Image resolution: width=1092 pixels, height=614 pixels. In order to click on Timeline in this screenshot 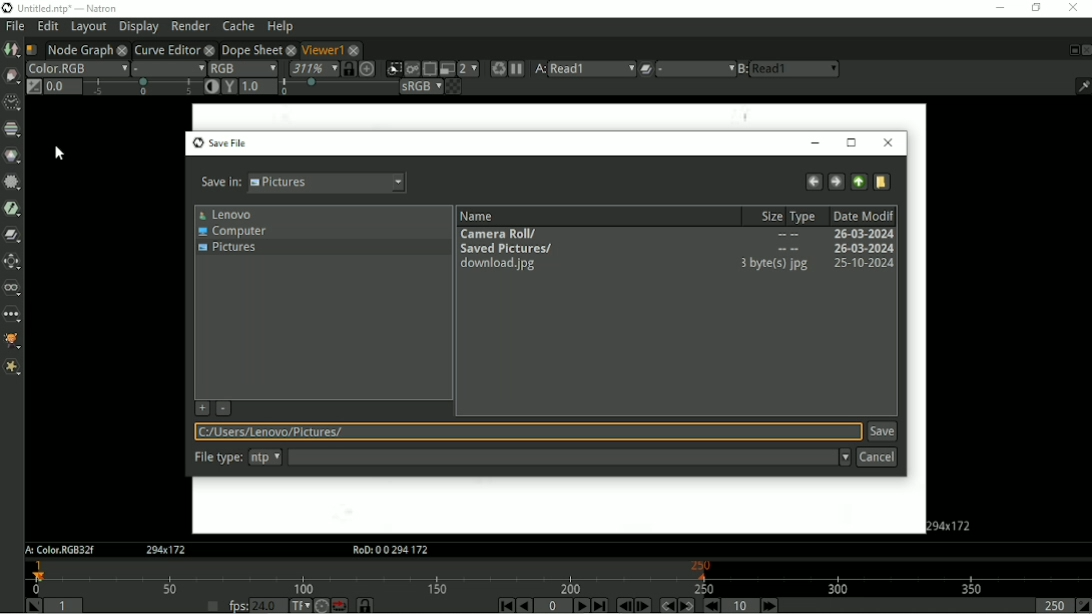, I will do `click(555, 578)`.